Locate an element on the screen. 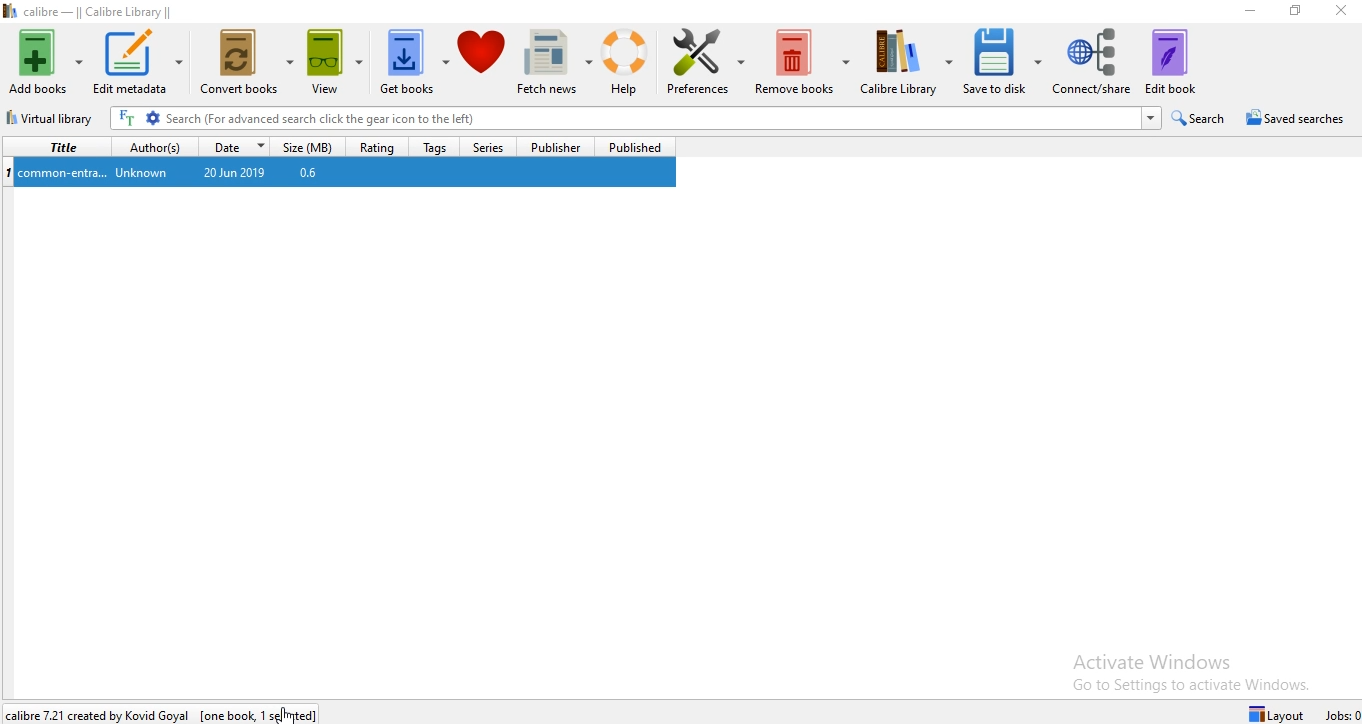 This screenshot has height=724, width=1362. Help is located at coordinates (628, 66).